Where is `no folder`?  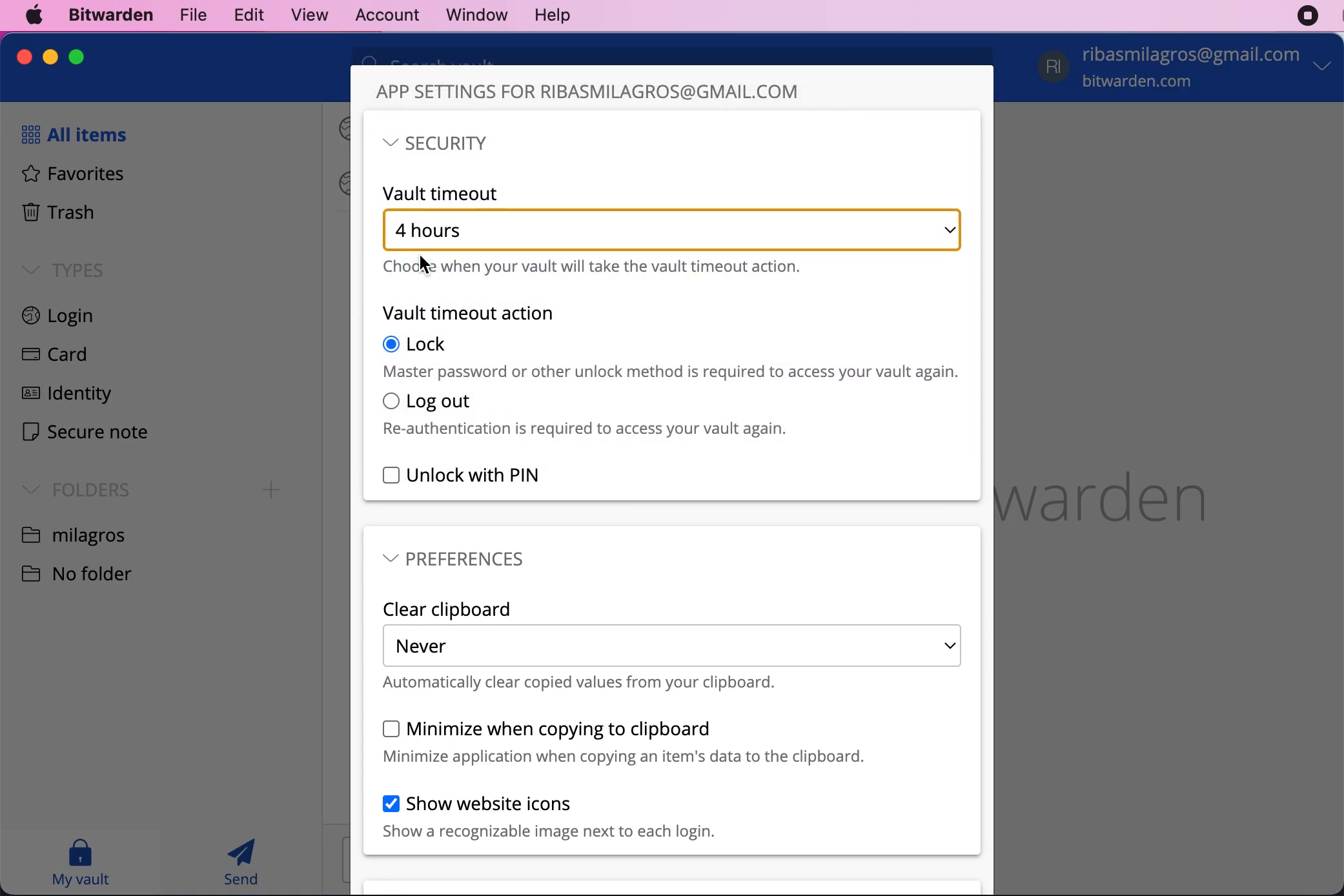 no folder is located at coordinates (87, 572).